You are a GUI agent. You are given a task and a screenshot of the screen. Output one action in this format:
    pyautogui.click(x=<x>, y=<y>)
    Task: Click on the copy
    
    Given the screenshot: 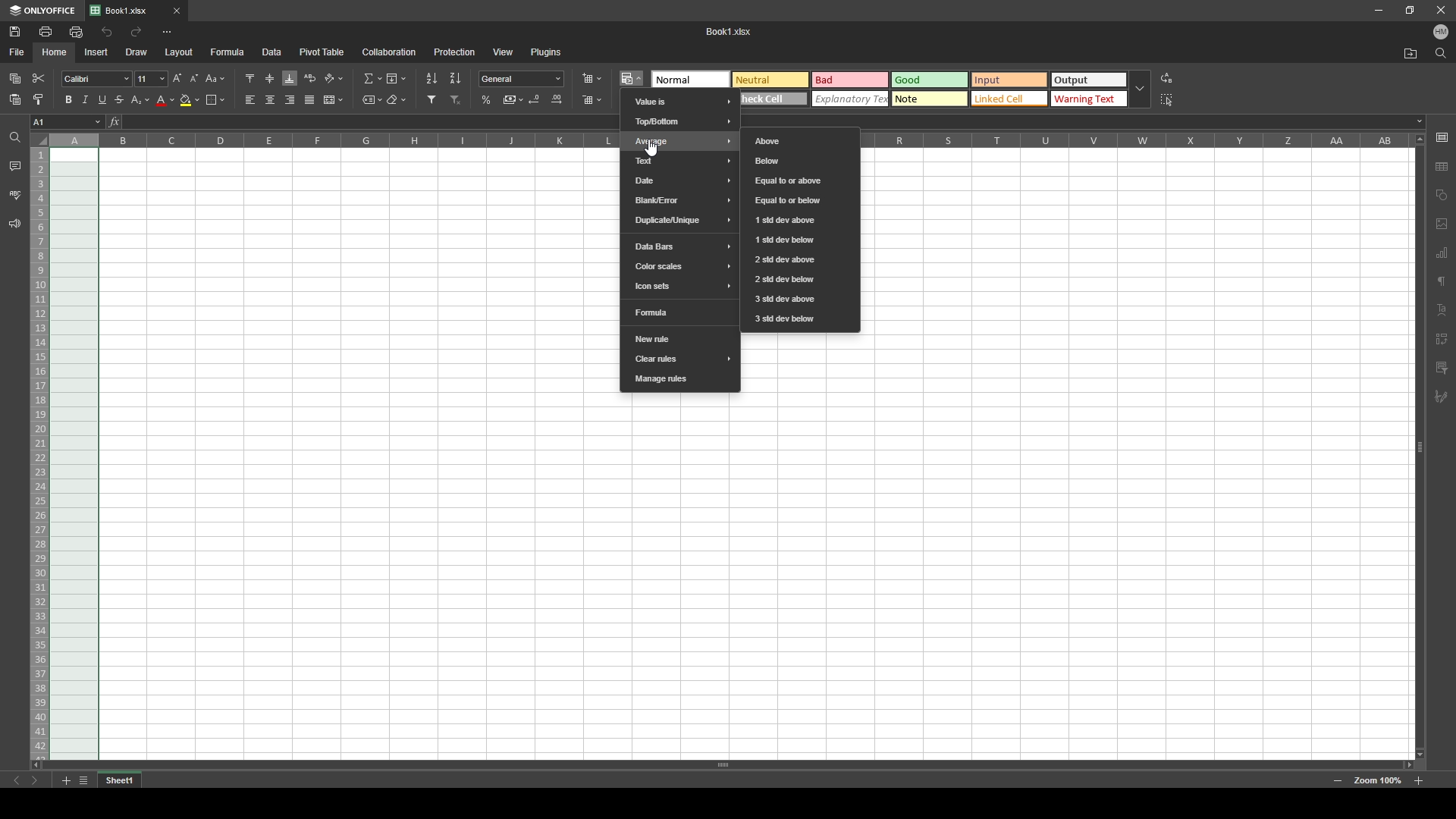 What is the action you would take?
    pyautogui.click(x=15, y=78)
    